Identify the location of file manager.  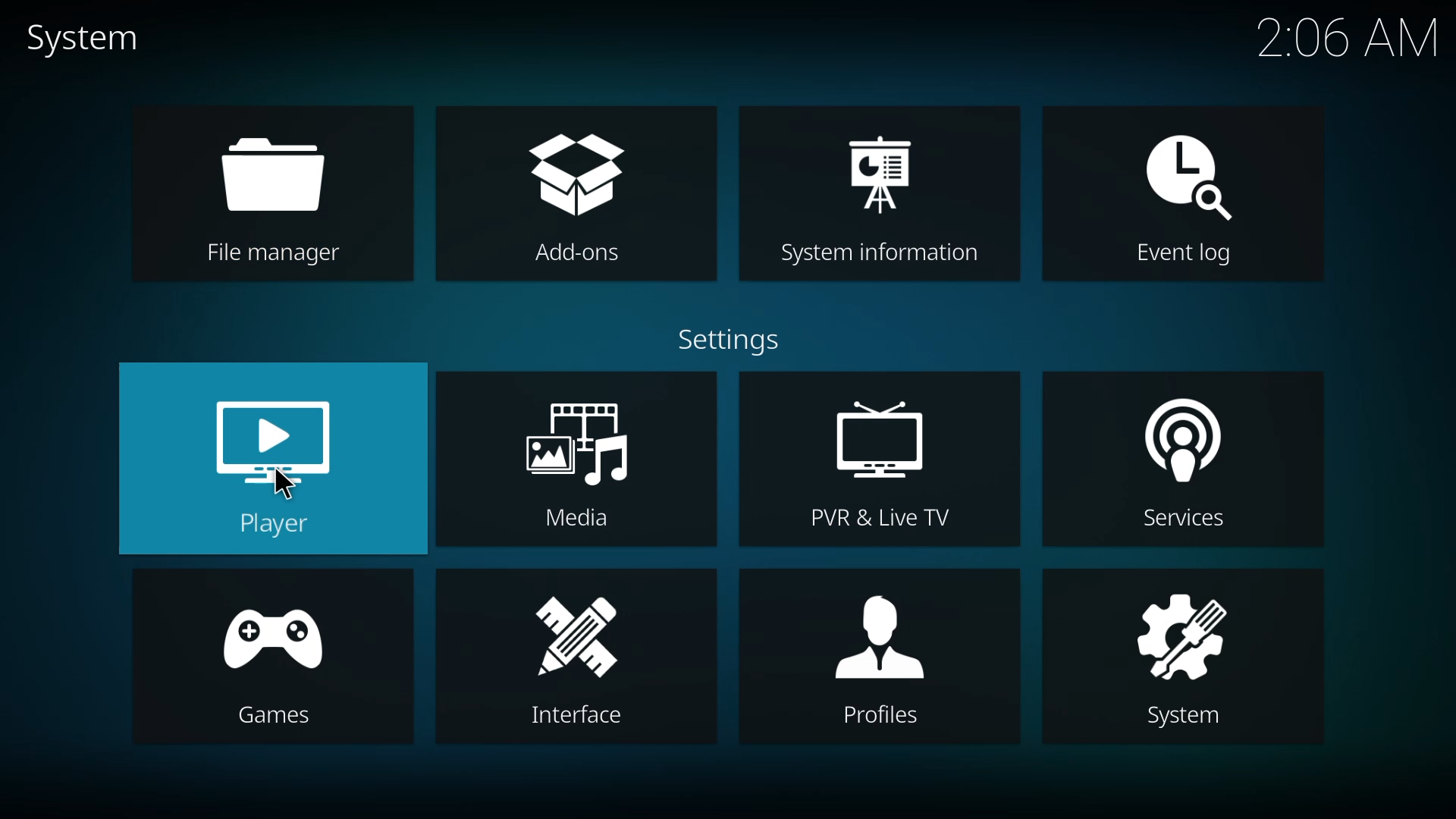
(274, 197).